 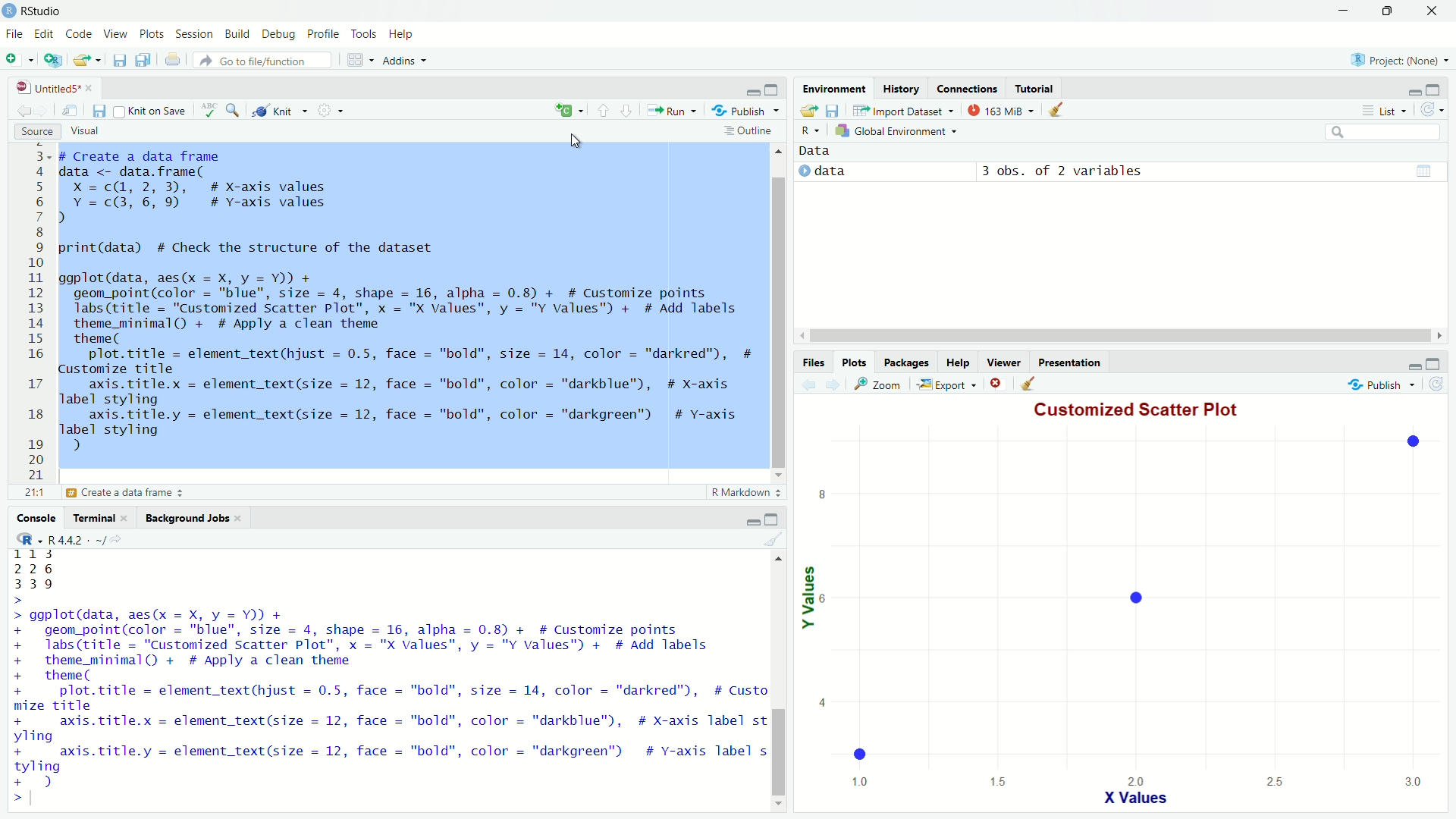 I want to click on Connections, so click(x=968, y=90).